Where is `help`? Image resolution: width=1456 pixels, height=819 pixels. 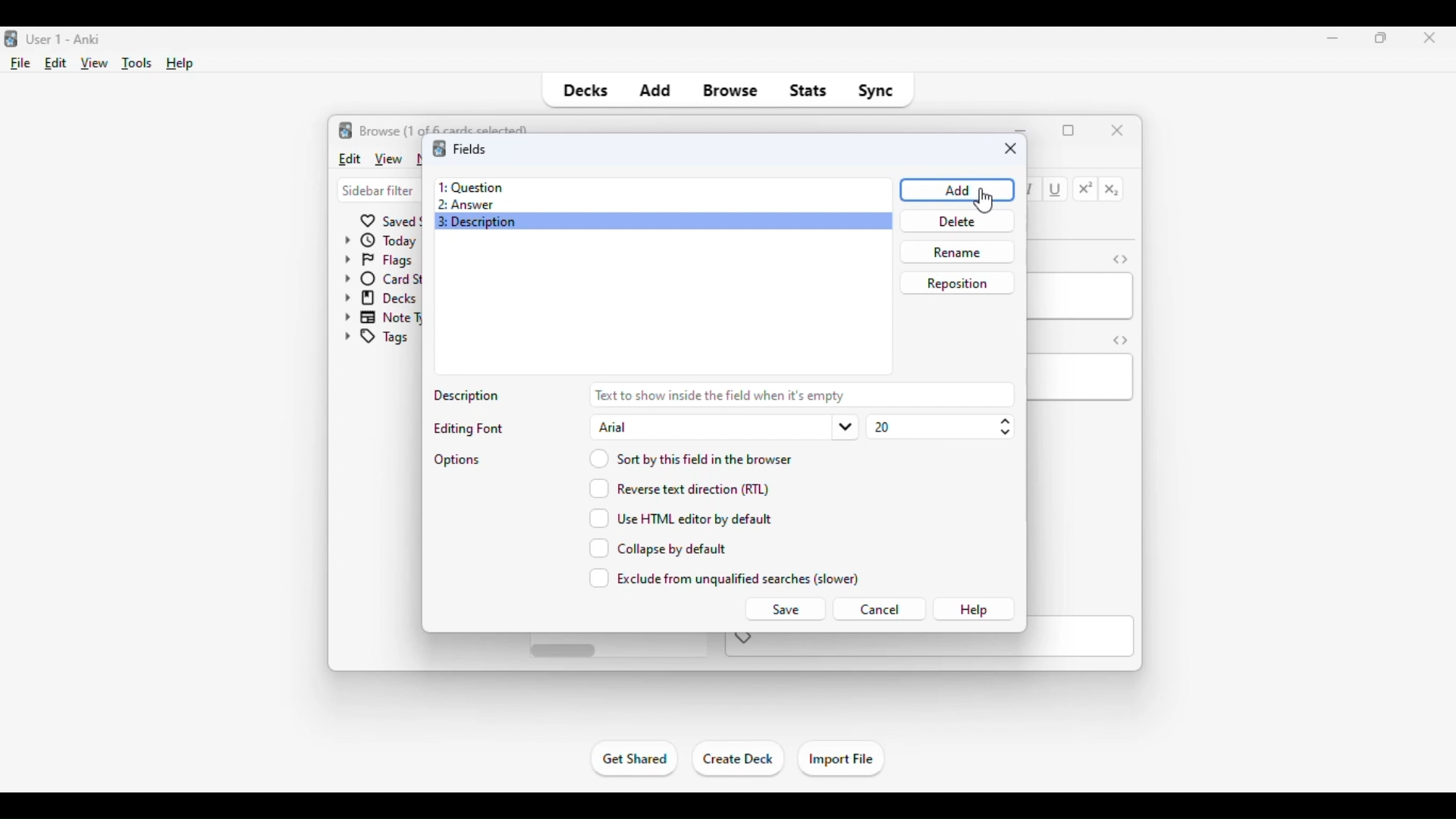
help is located at coordinates (180, 64).